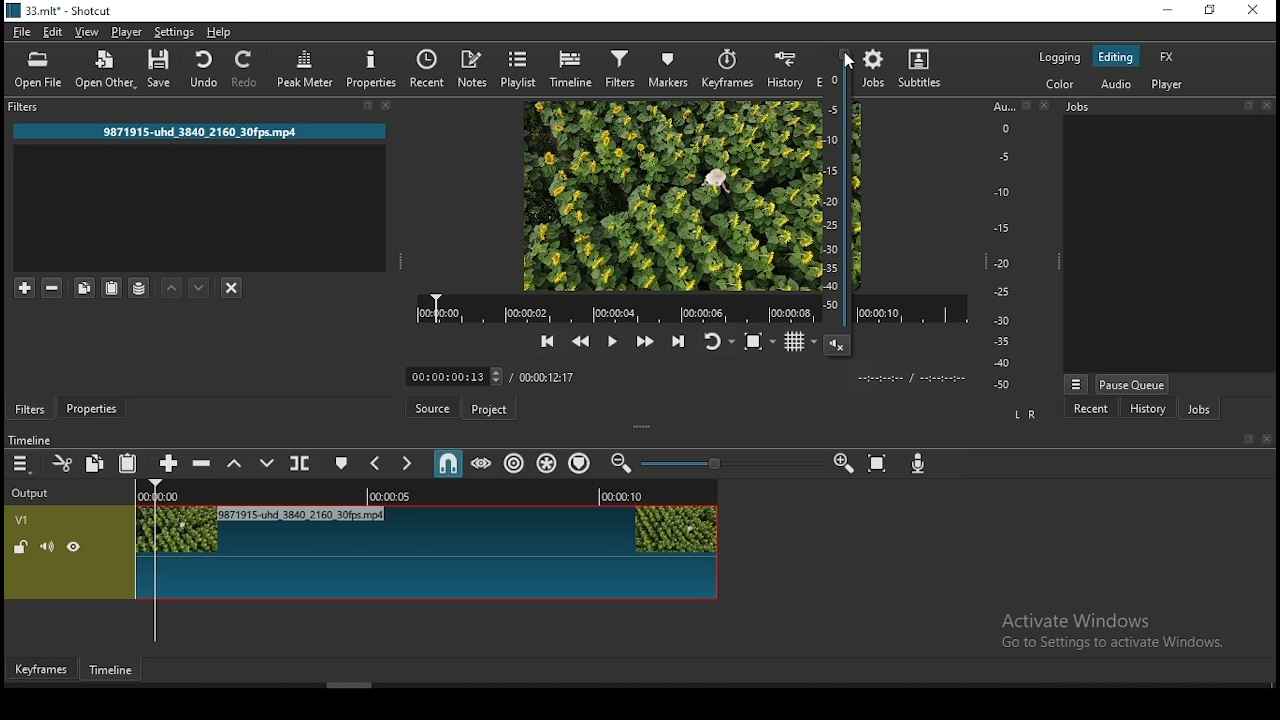 Image resolution: width=1280 pixels, height=720 pixels. What do you see at coordinates (39, 72) in the screenshot?
I see `open file` at bounding box center [39, 72].